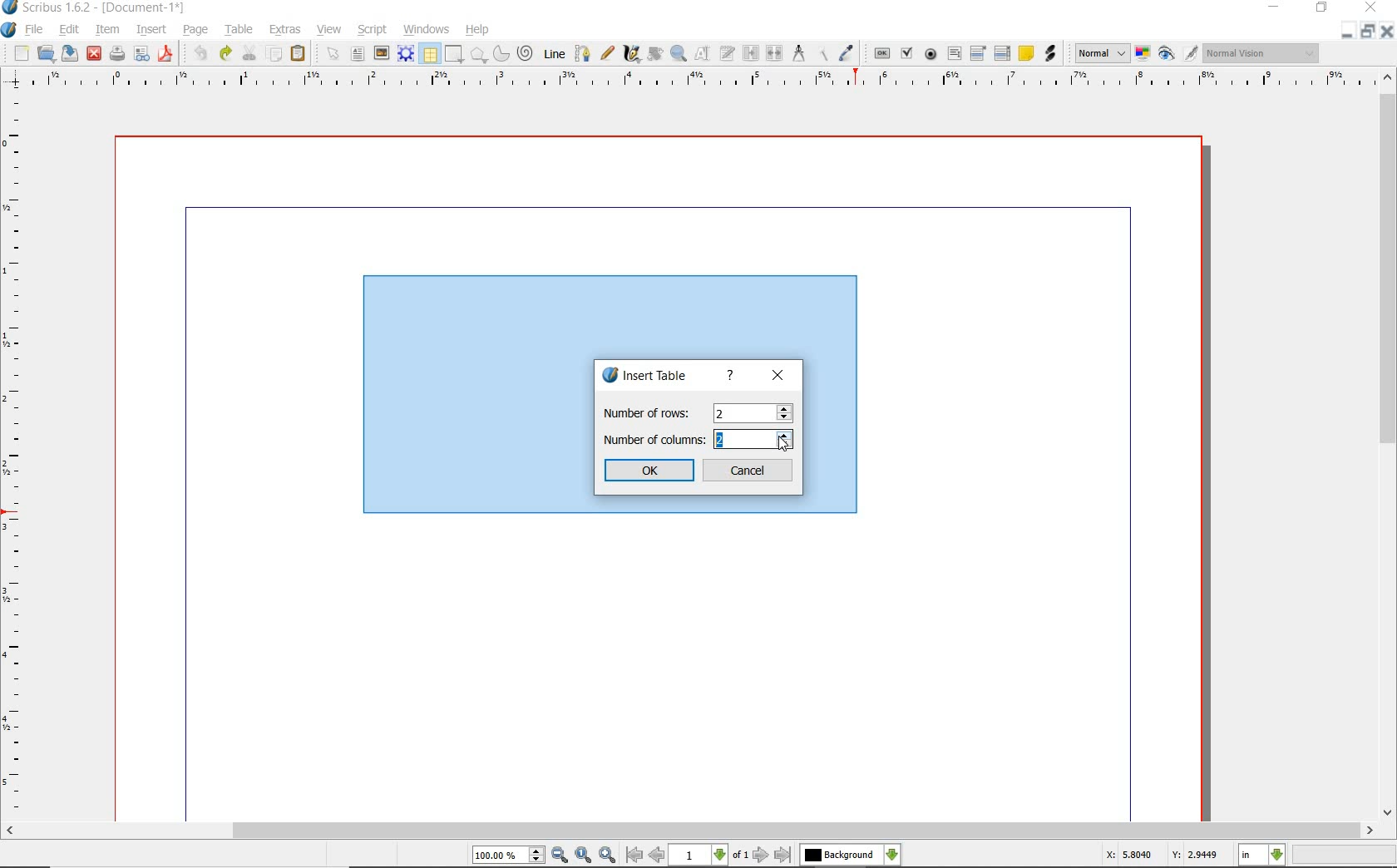 The width and height of the screenshot is (1397, 868). I want to click on script, so click(373, 30).